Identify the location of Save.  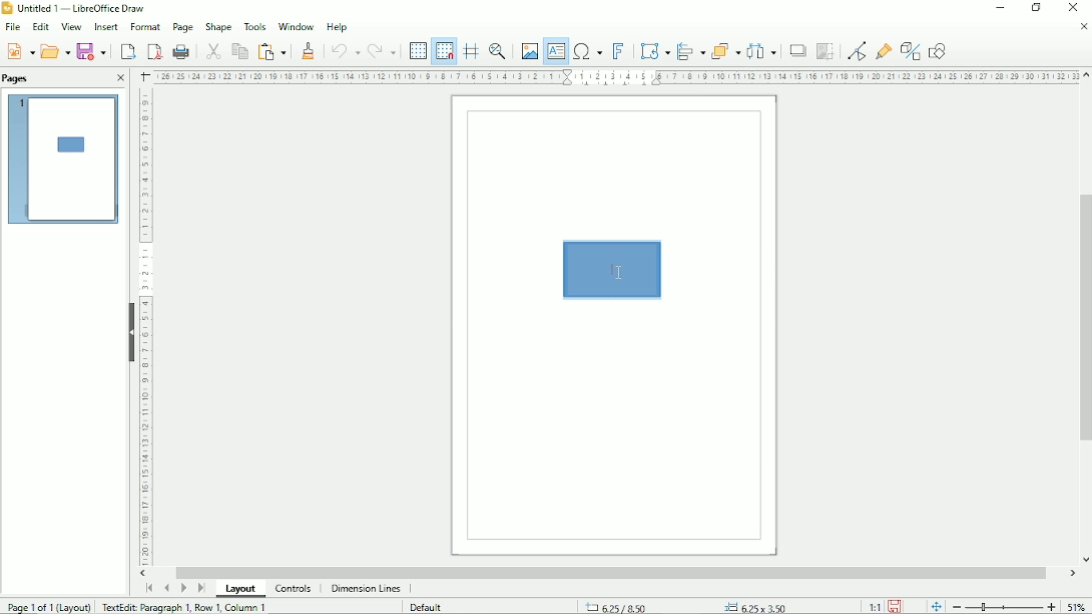
(92, 51).